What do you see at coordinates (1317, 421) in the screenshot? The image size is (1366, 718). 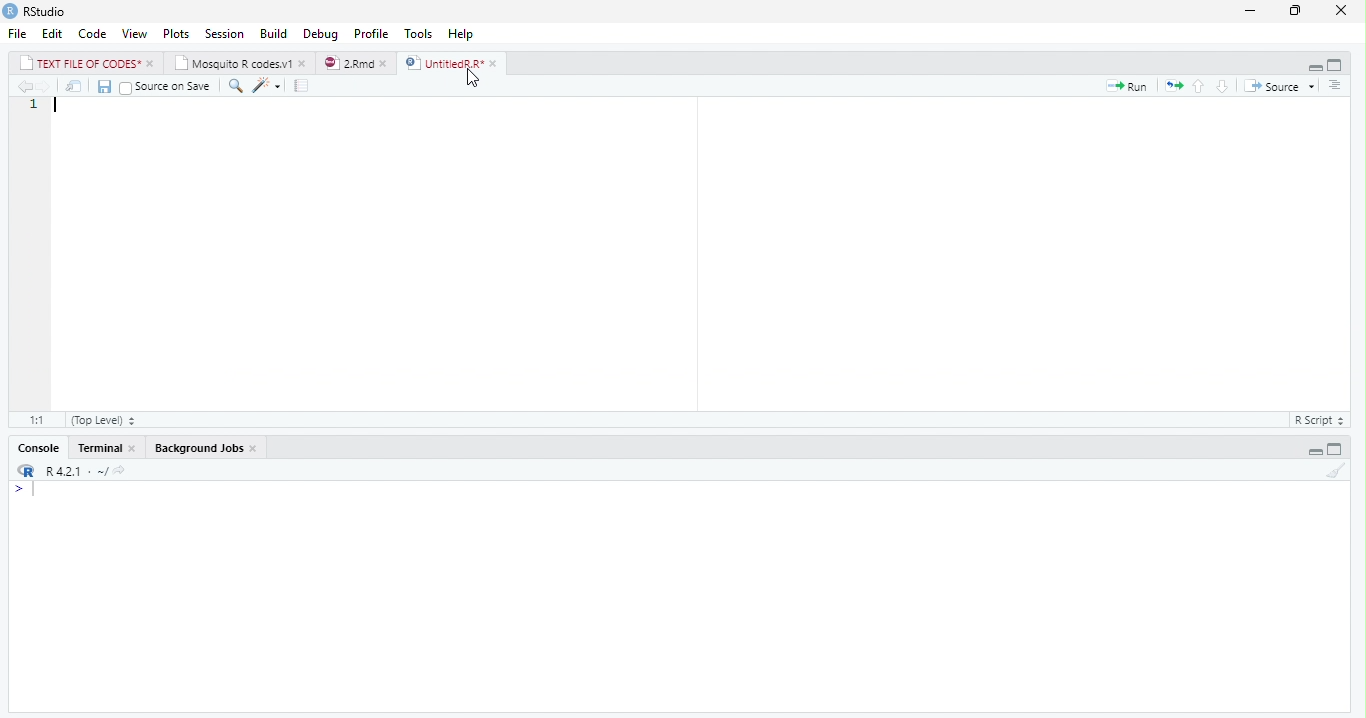 I see `R Script` at bounding box center [1317, 421].